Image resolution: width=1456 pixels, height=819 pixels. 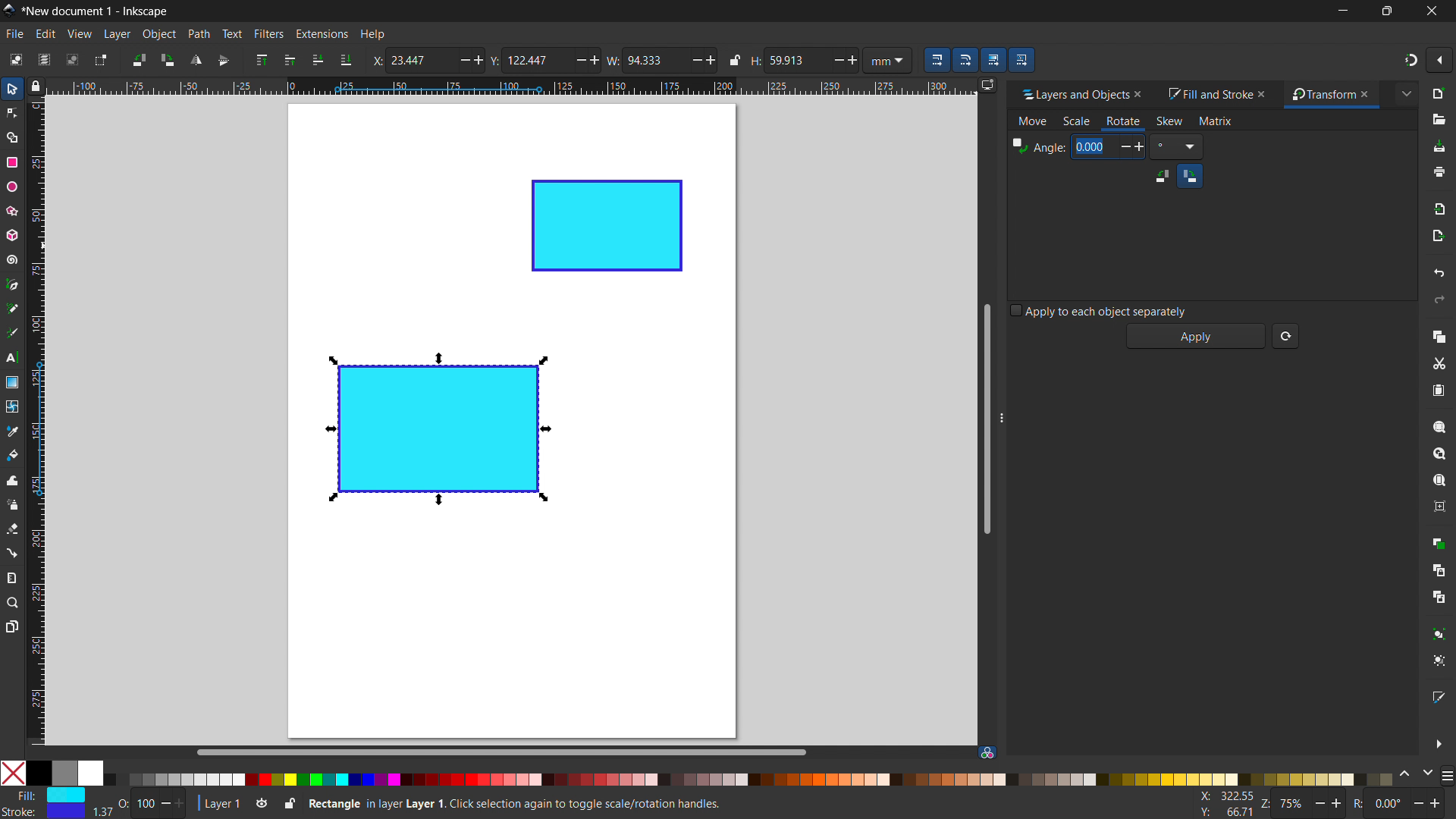 I want to click on erasor tool, so click(x=12, y=529).